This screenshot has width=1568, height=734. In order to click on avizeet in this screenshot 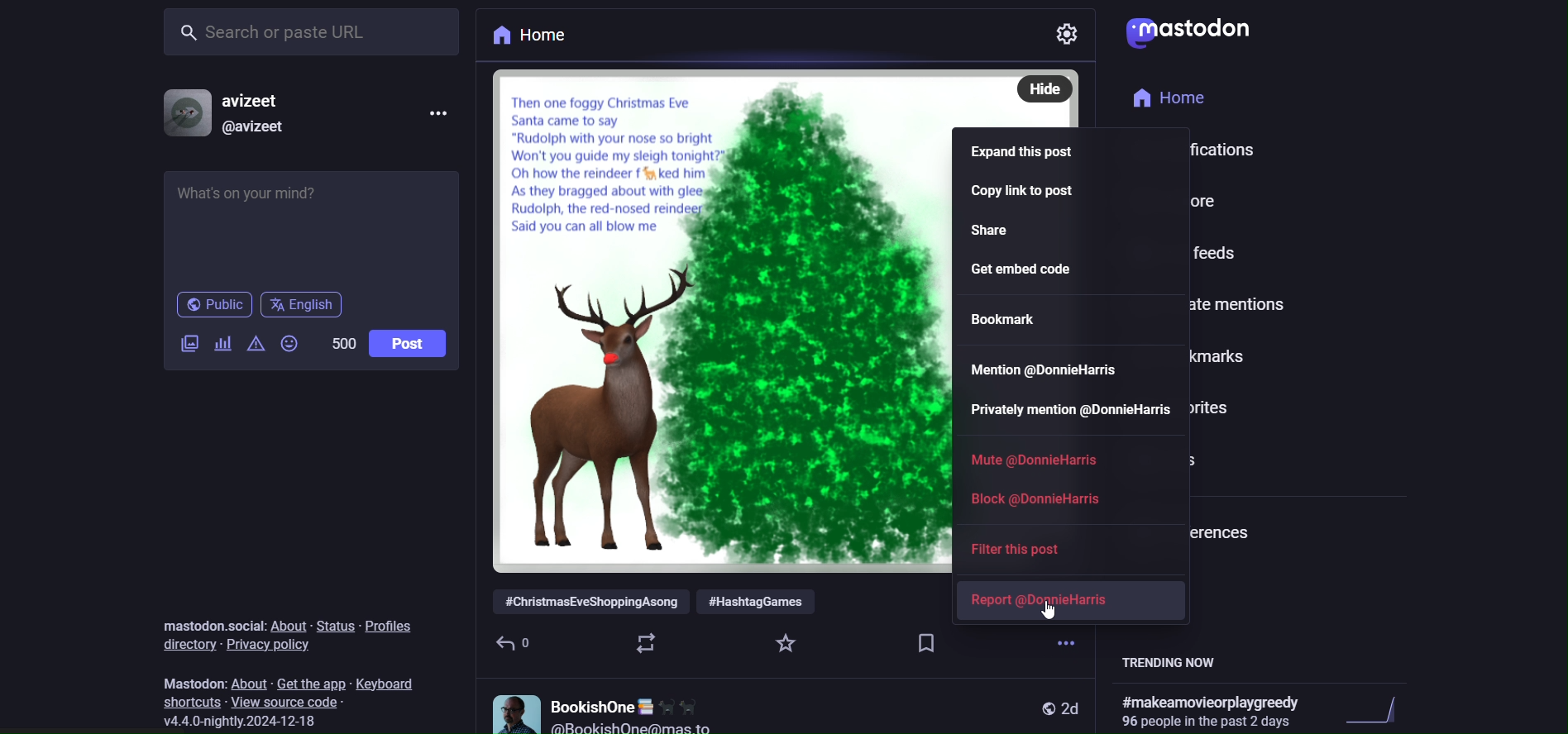, I will do `click(260, 100)`.